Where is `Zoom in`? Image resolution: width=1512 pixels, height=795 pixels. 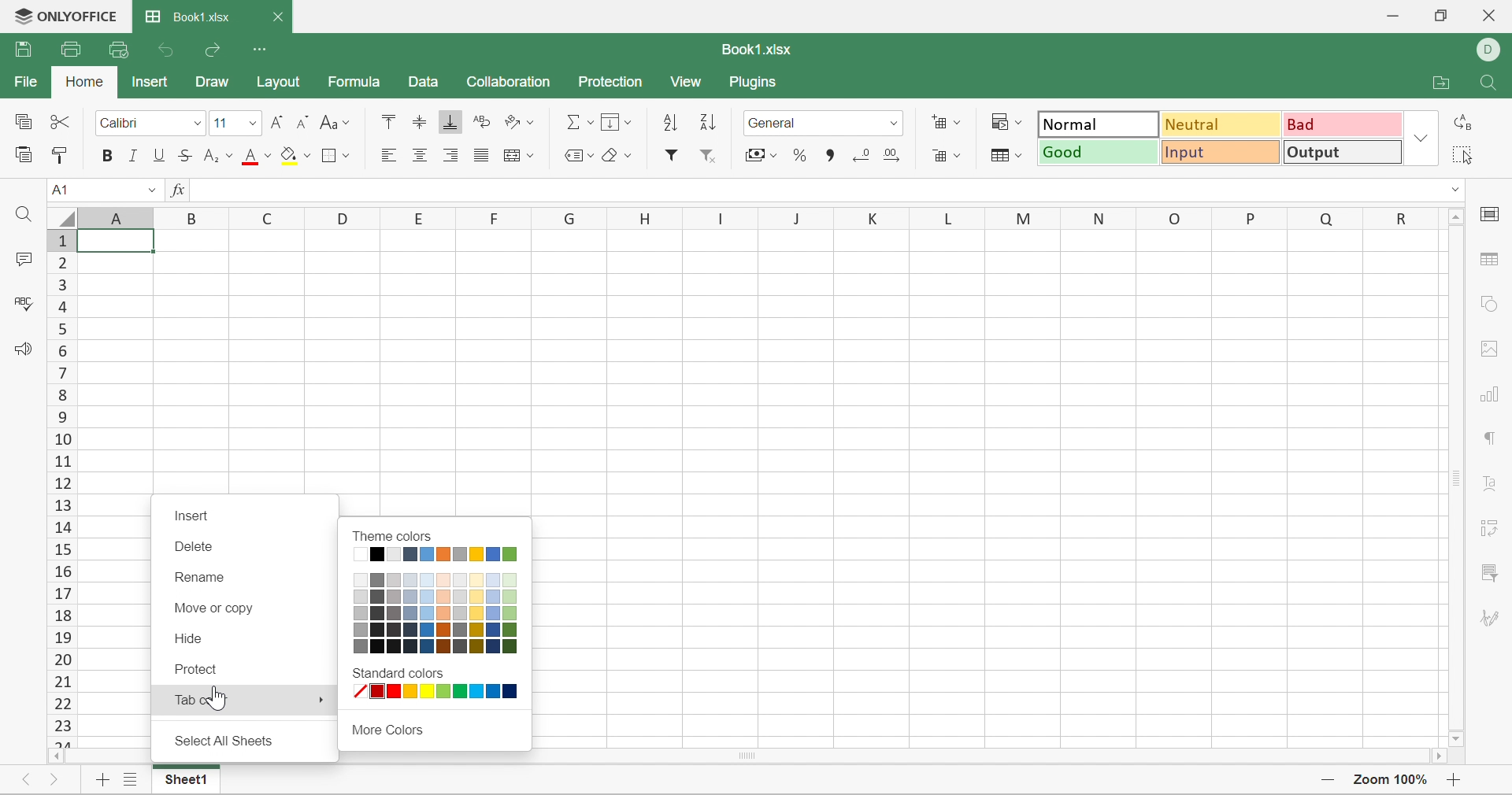 Zoom in is located at coordinates (1455, 782).